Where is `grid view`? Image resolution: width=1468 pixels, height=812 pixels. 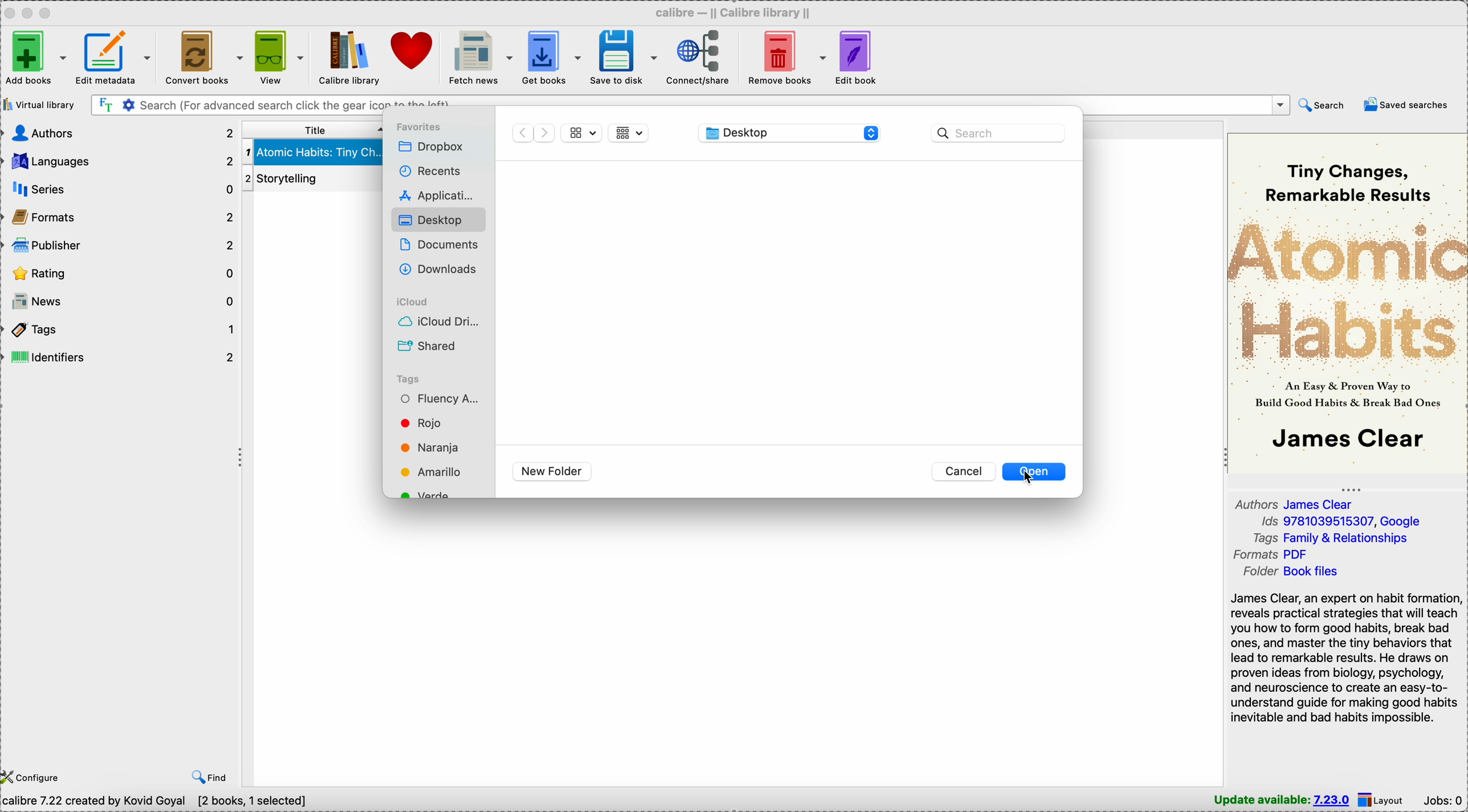
grid view is located at coordinates (581, 133).